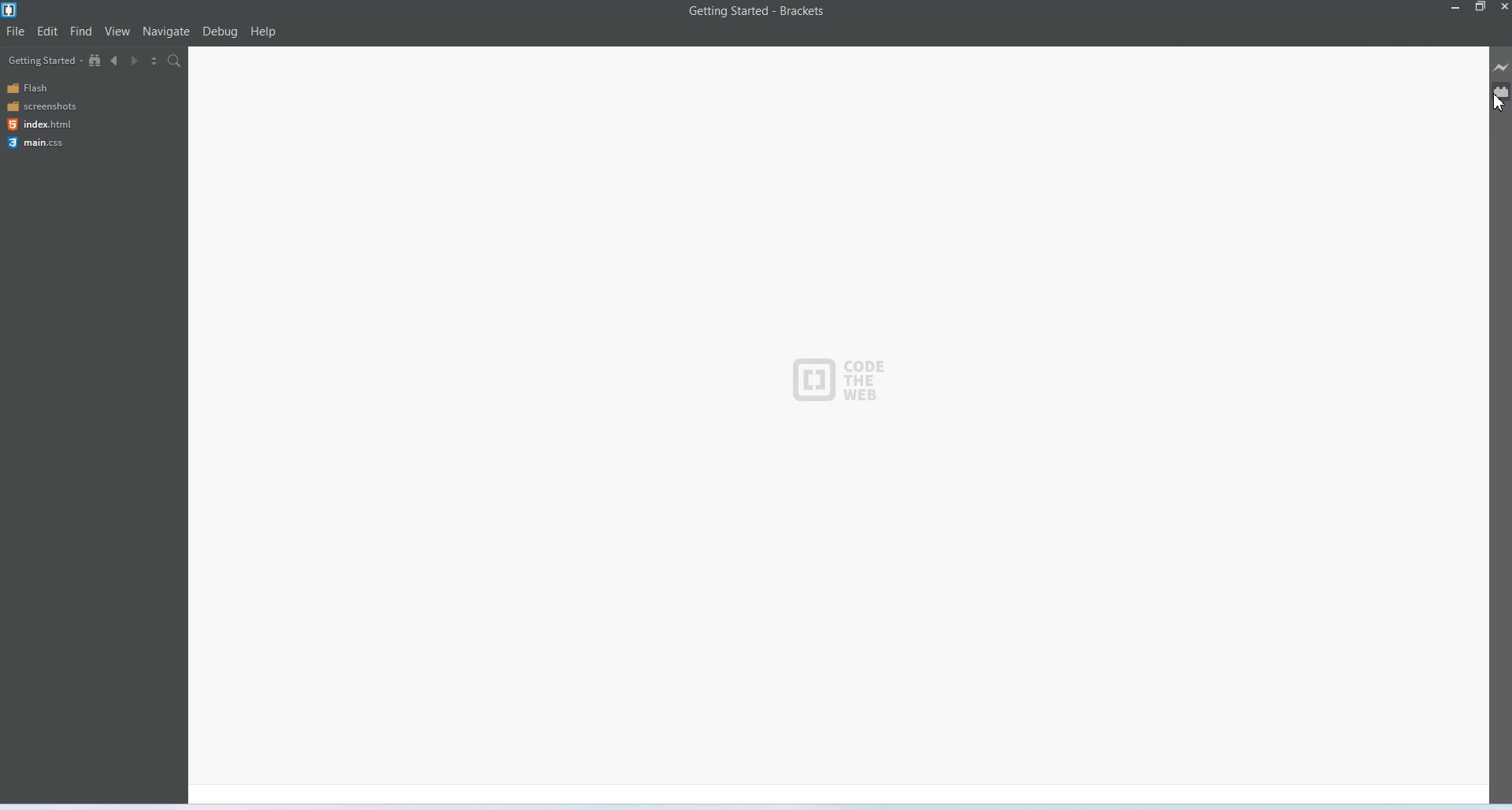 The image size is (1512, 810). I want to click on Edit, so click(49, 32).